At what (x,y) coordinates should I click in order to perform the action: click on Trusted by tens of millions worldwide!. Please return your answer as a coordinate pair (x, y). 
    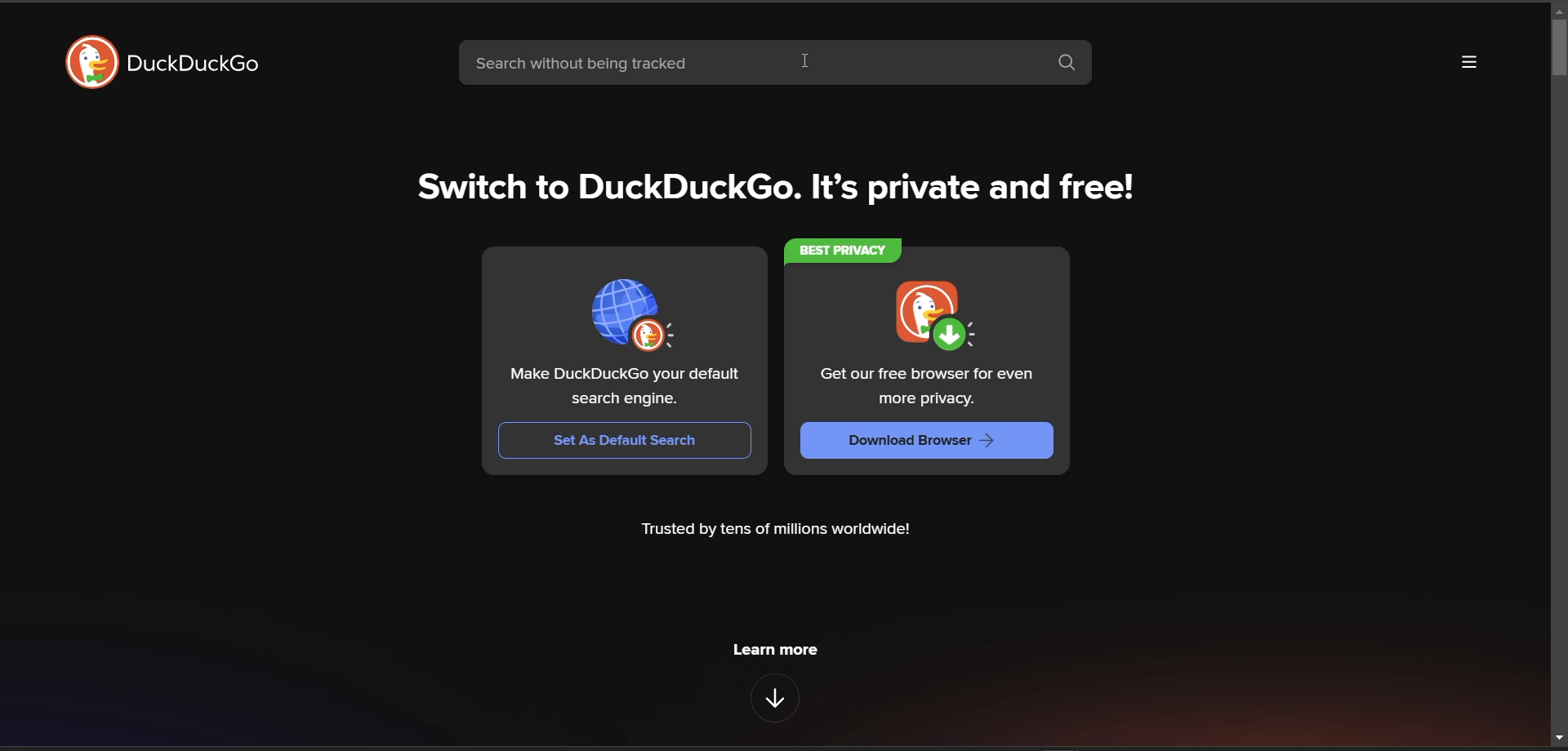
    Looking at the image, I should click on (777, 531).